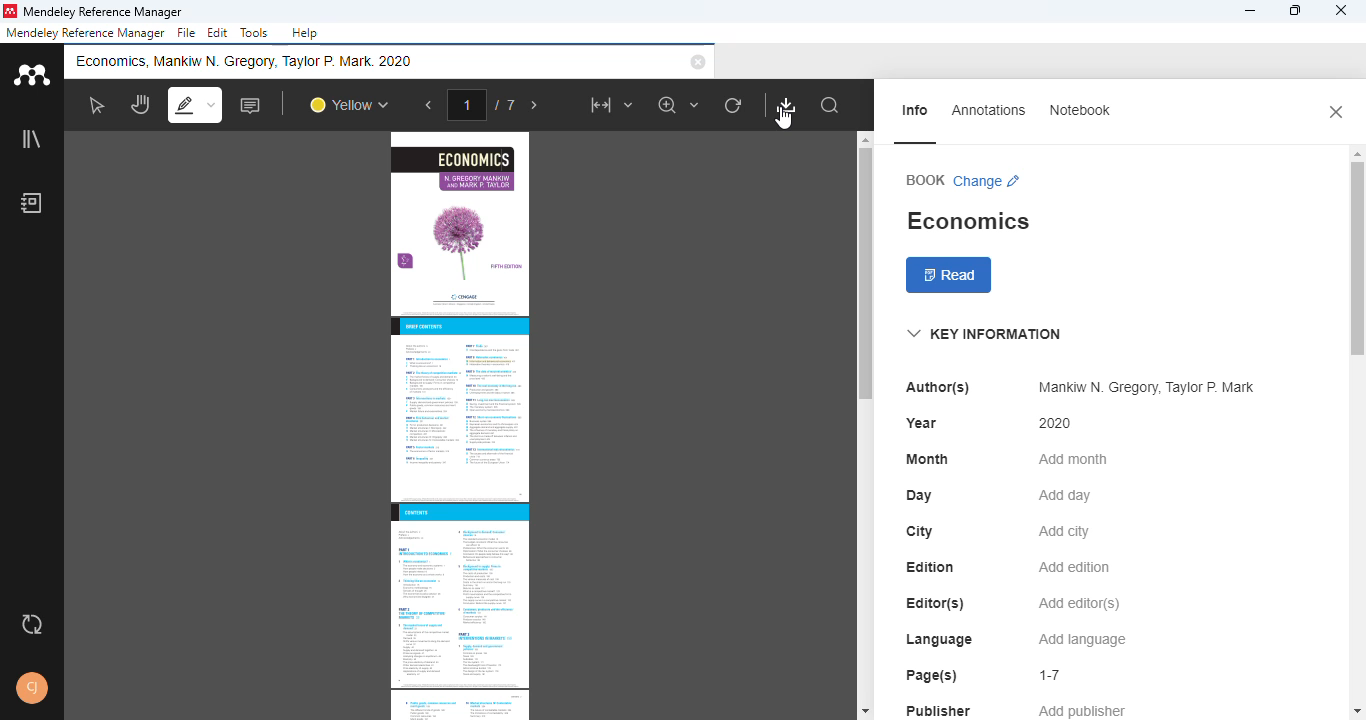  Describe the element at coordinates (11, 11) in the screenshot. I see `logo` at that location.